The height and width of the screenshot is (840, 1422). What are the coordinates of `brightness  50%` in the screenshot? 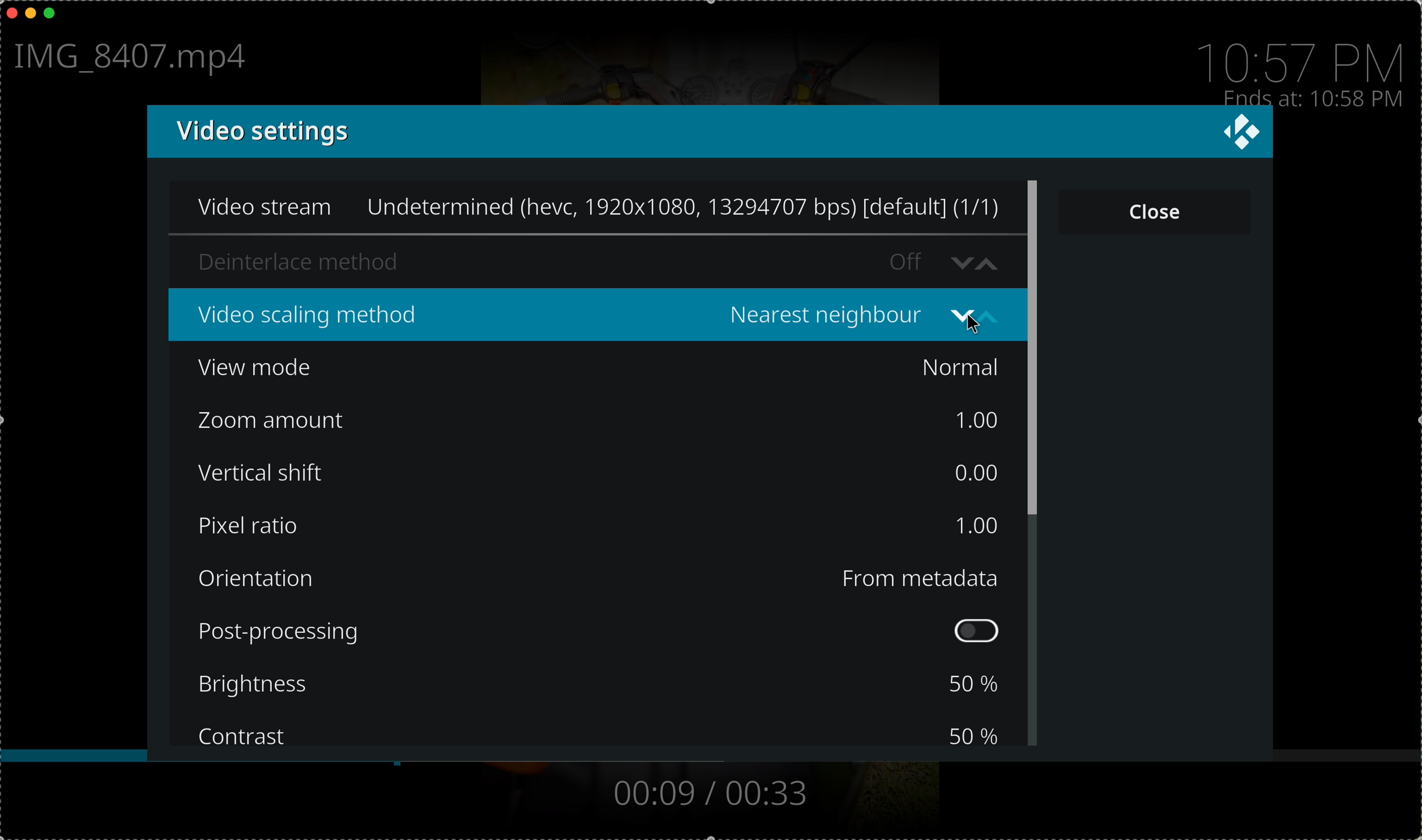 It's located at (603, 687).